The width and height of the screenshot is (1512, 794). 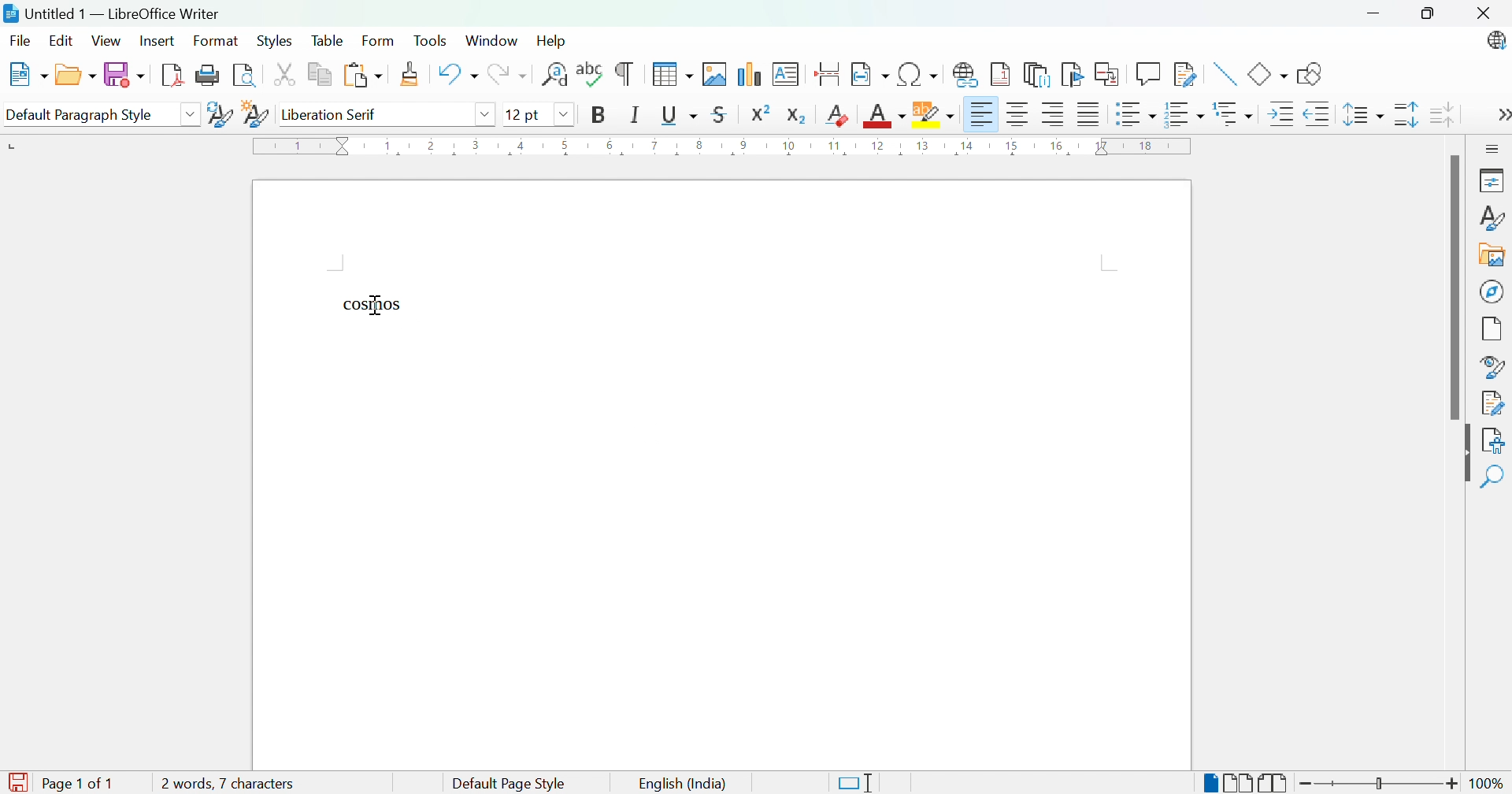 What do you see at coordinates (1106, 74) in the screenshot?
I see `Insert cross-reference` at bounding box center [1106, 74].